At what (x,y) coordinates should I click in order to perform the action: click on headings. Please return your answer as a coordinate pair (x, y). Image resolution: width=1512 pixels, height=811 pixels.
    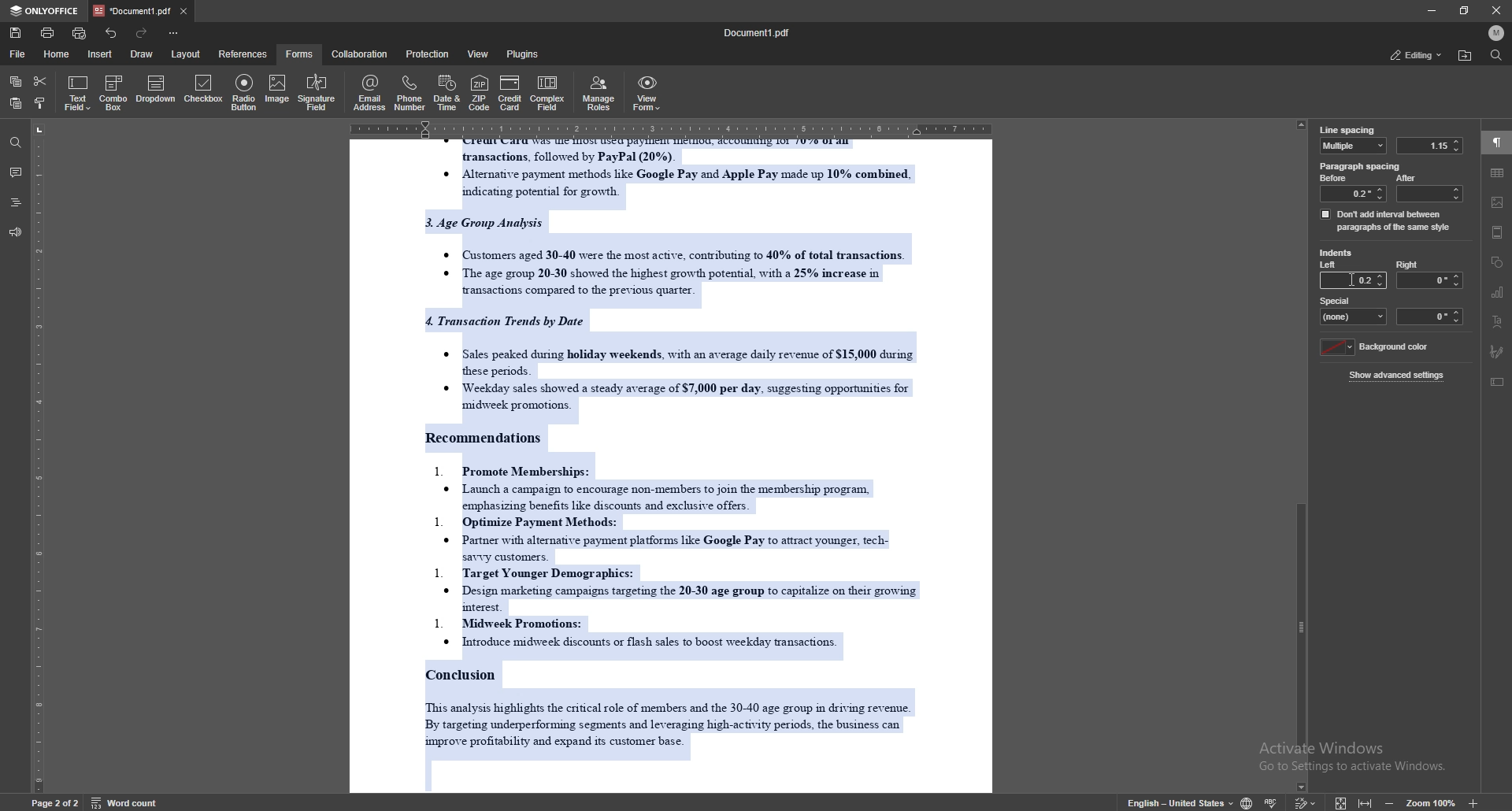
    Looking at the image, I should click on (16, 202).